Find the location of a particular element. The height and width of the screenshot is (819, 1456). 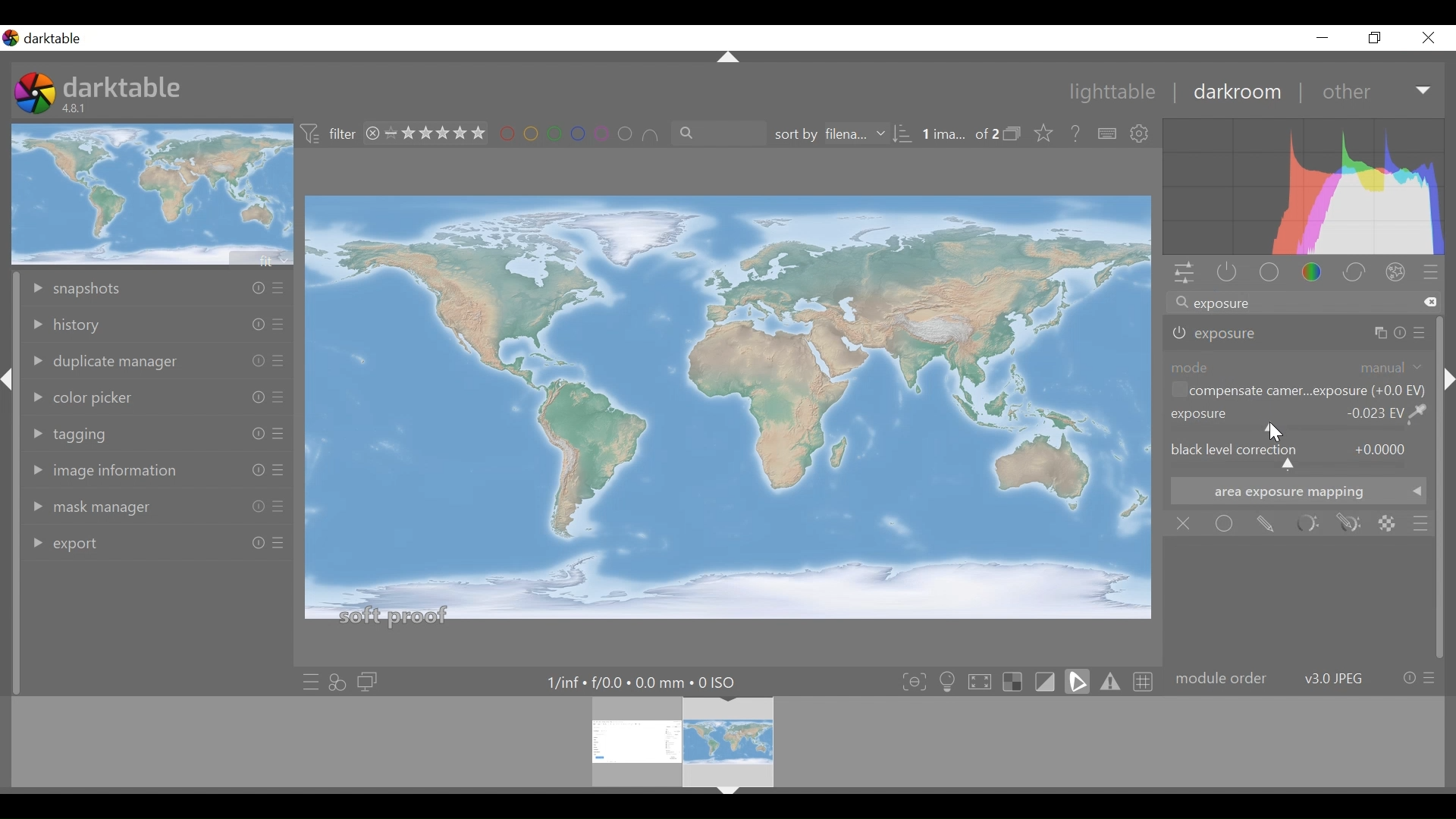

automatically remove the camera bias is located at coordinates (1296, 392).